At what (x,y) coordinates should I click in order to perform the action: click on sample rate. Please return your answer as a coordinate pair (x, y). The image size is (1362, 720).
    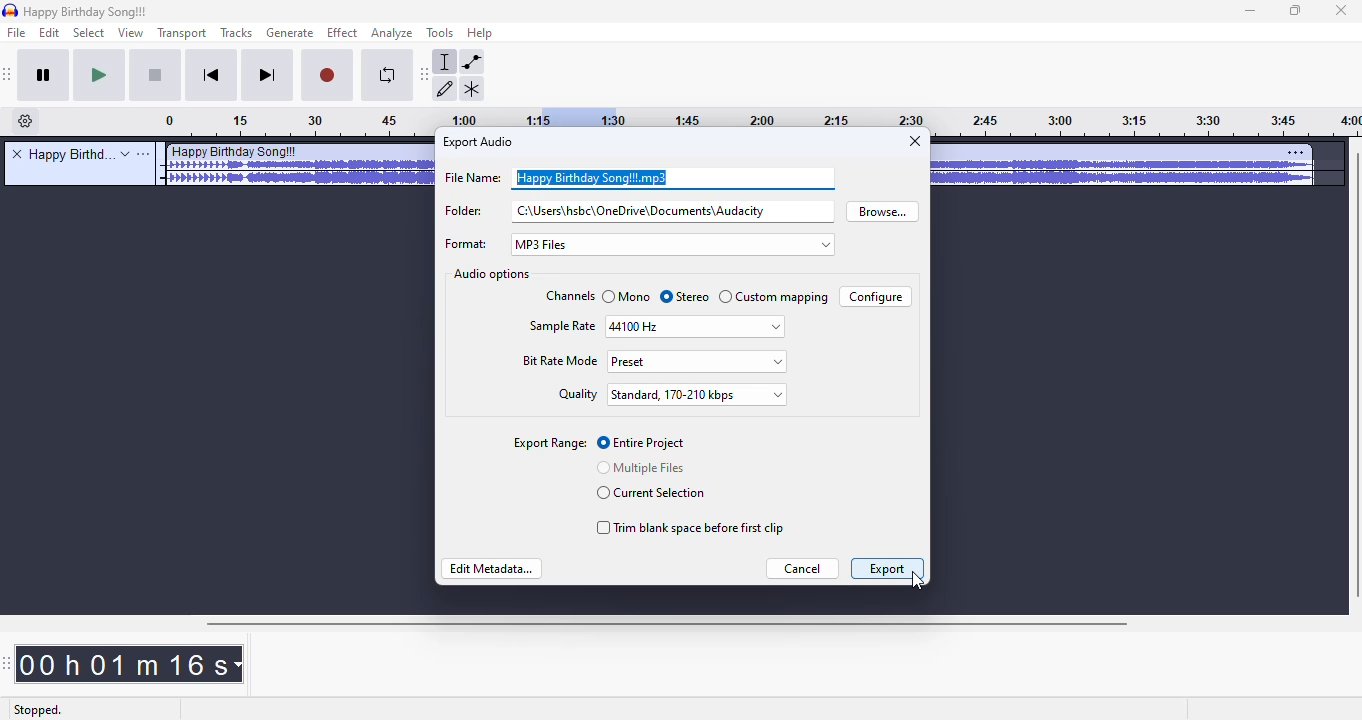
    Looking at the image, I should click on (562, 325).